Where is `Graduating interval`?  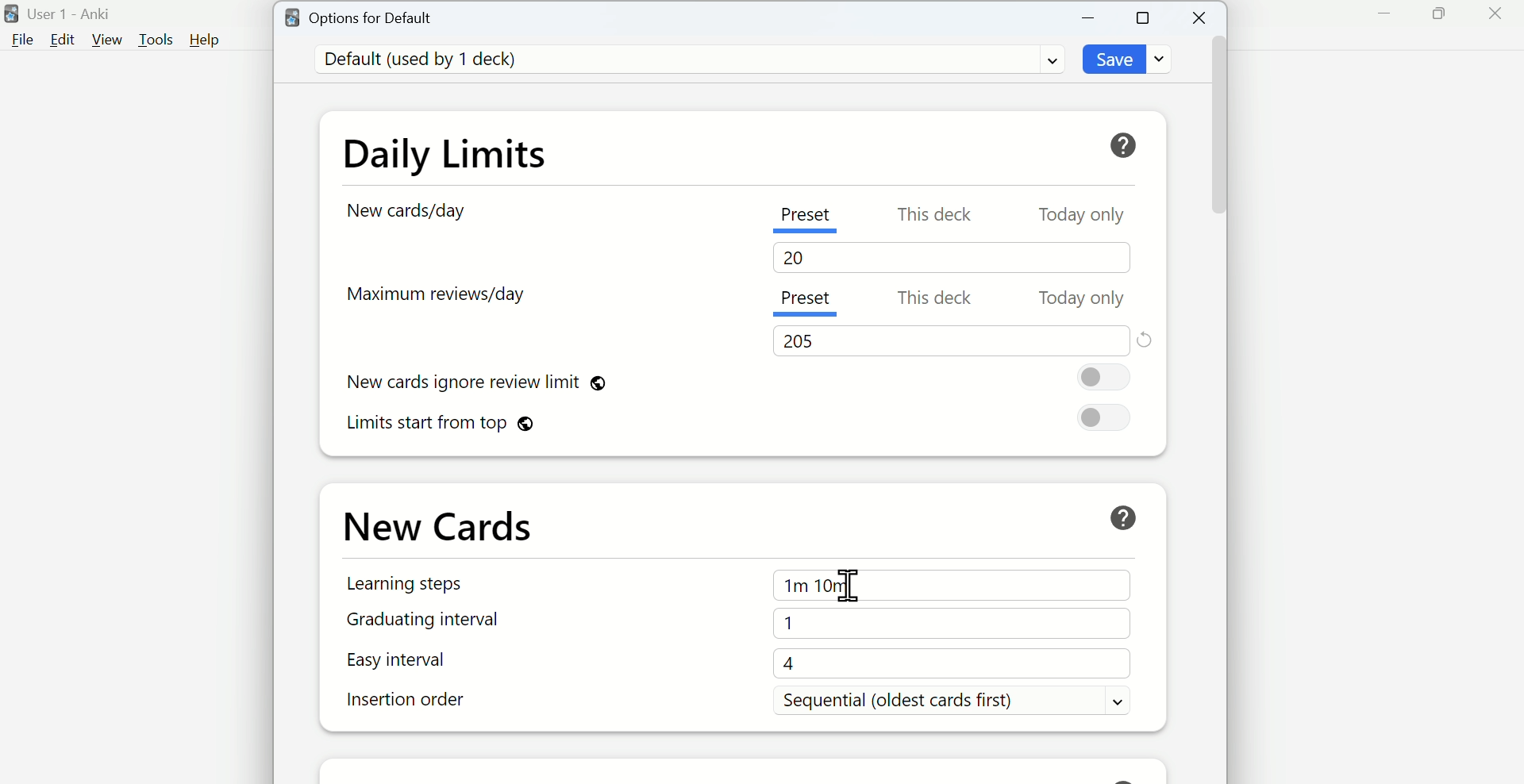 Graduating interval is located at coordinates (421, 621).